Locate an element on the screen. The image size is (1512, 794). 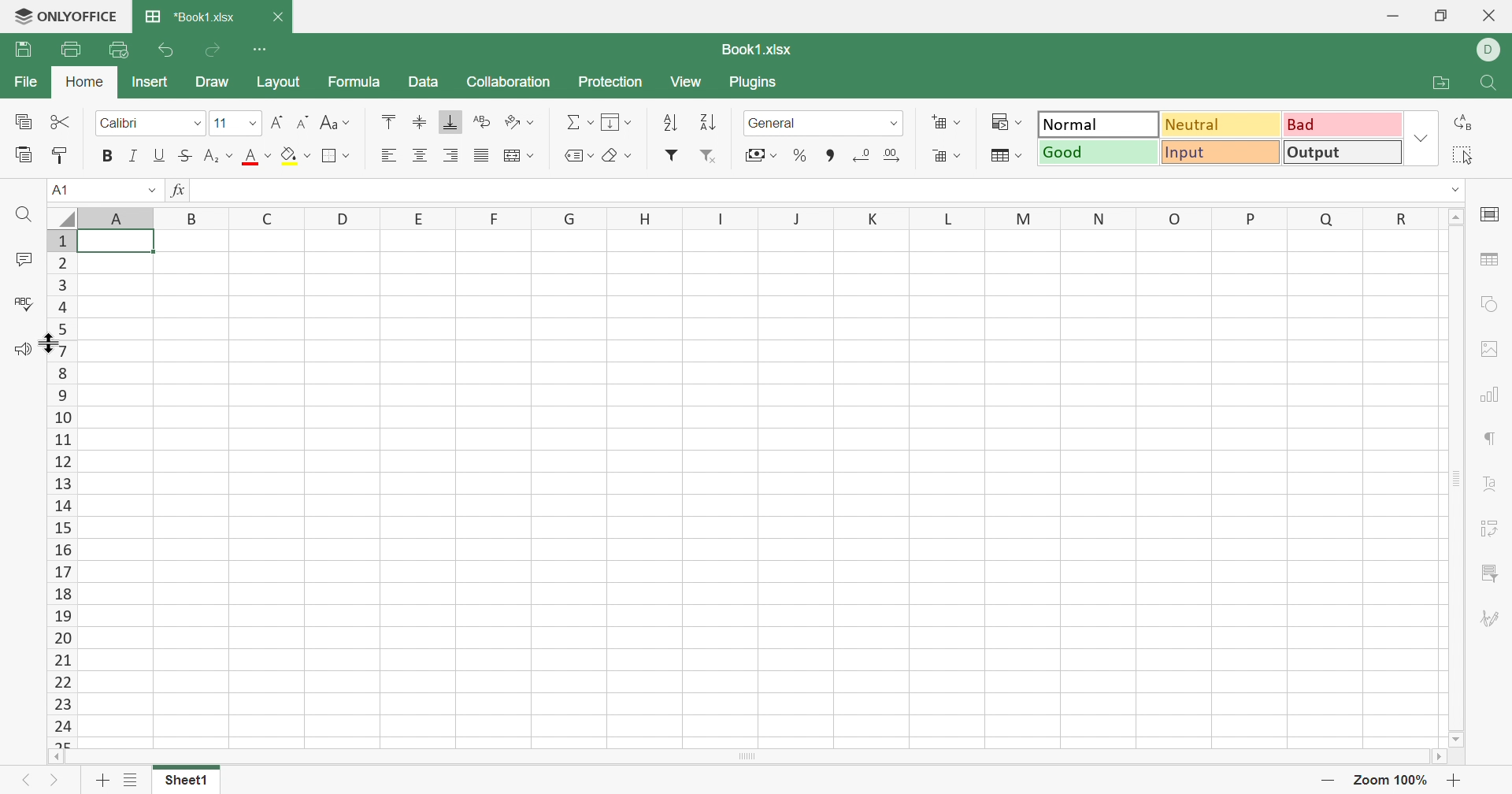
Comments is located at coordinates (21, 259).